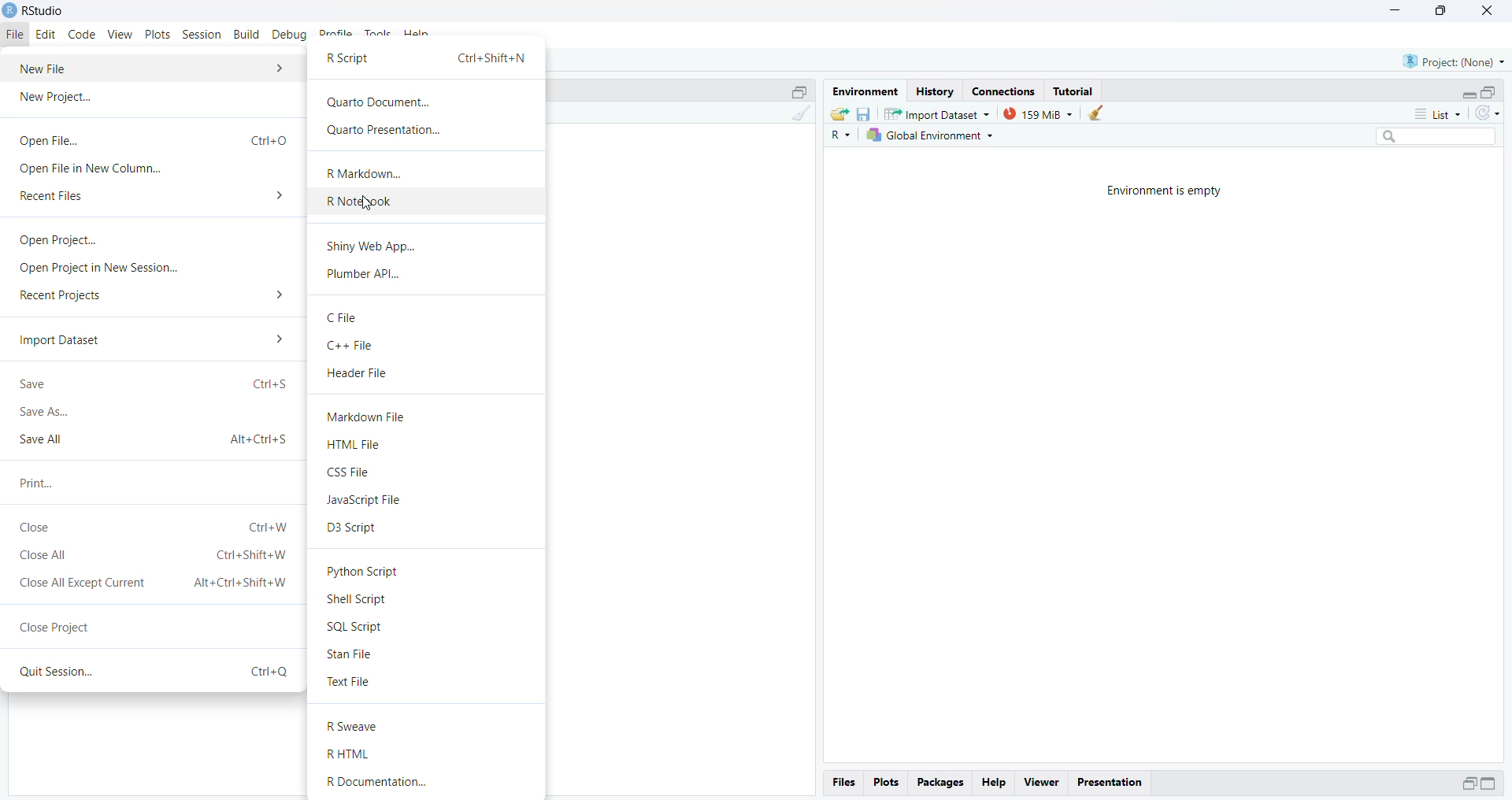 The height and width of the screenshot is (800, 1512). Describe the element at coordinates (995, 781) in the screenshot. I see `help` at that location.